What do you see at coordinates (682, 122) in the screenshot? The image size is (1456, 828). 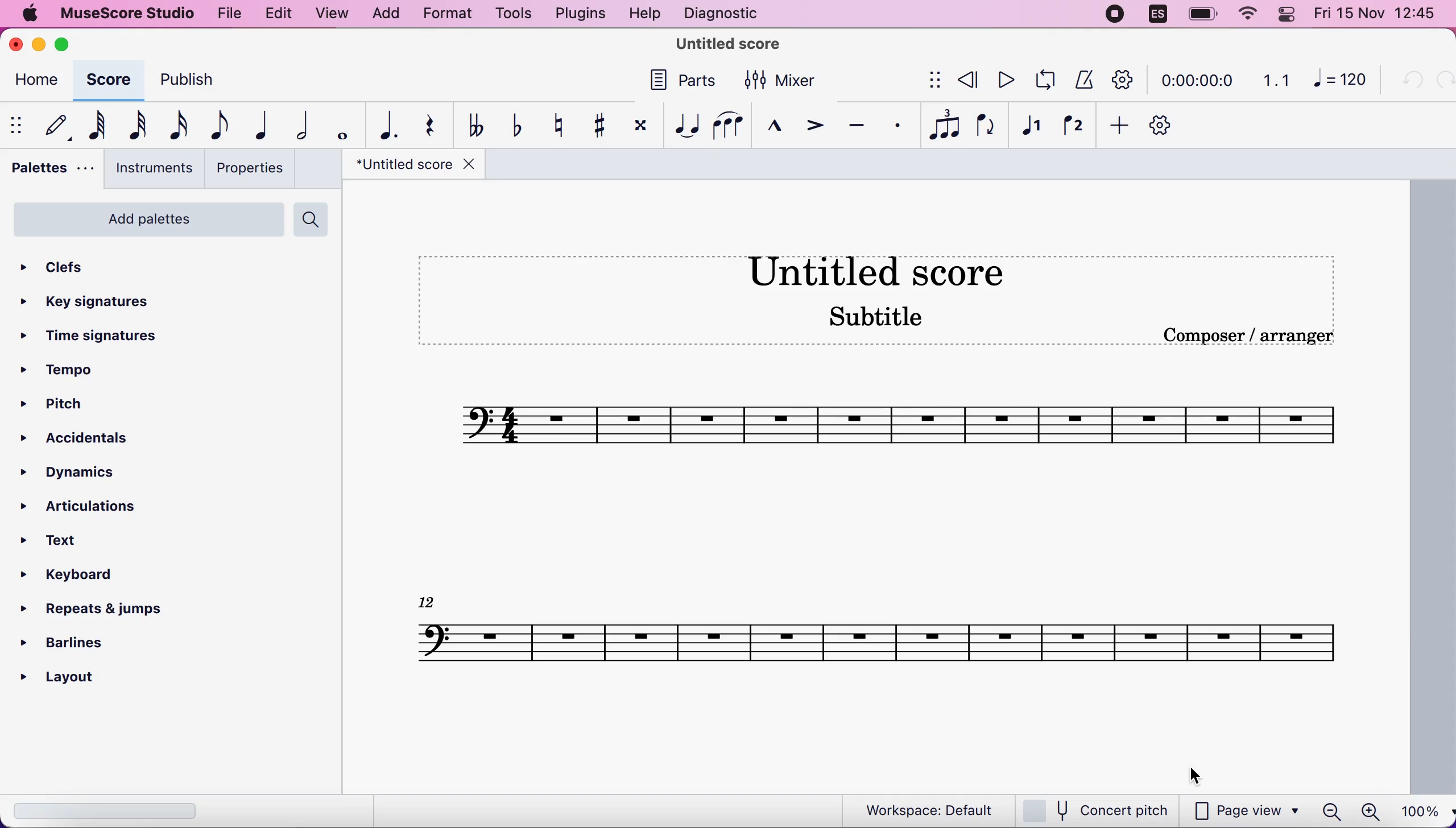 I see `tie` at bounding box center [682, 122].